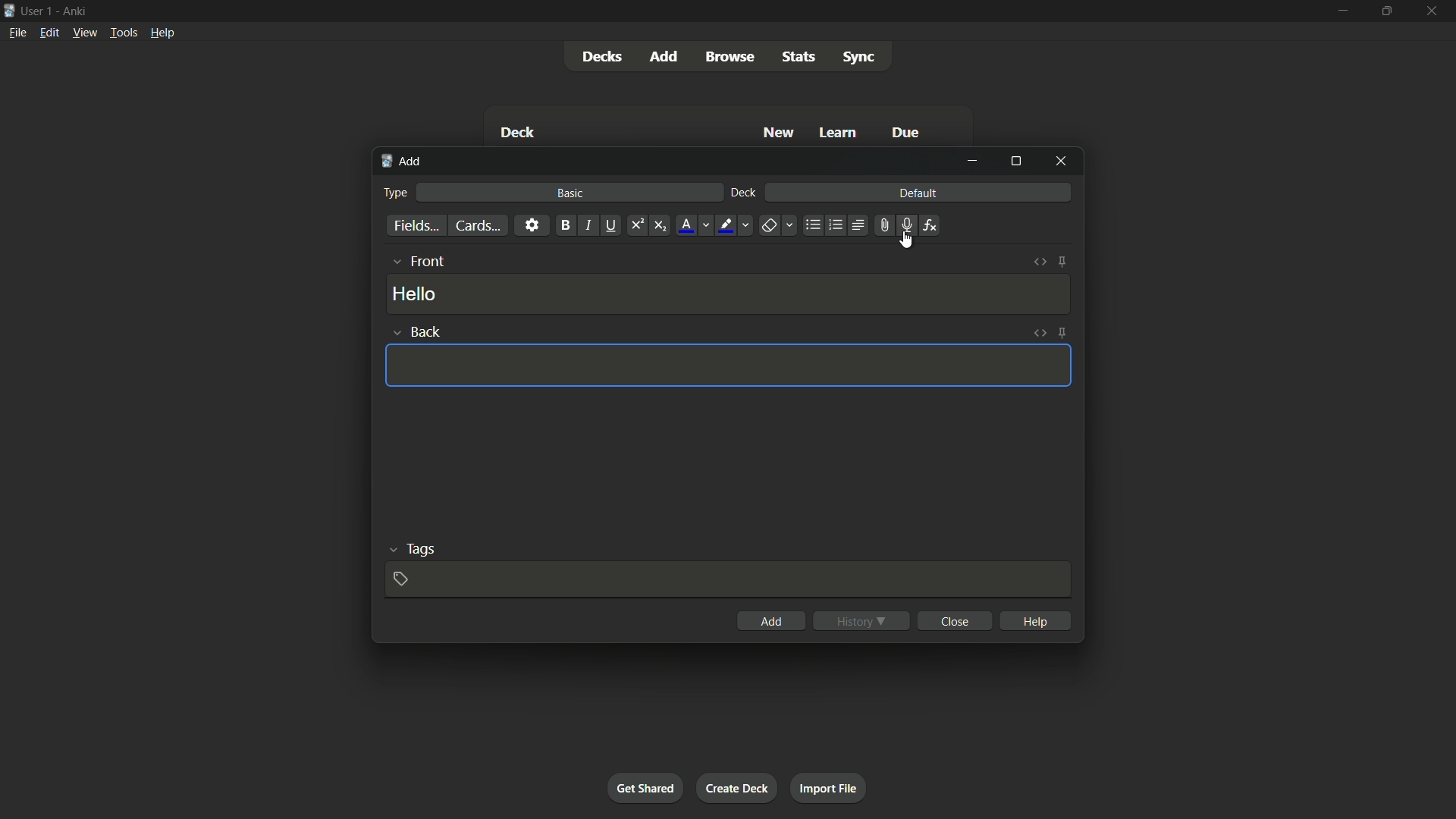 The width and height of the screenshot is (1456, 819). I want to click on get shared, so click(645, 789).